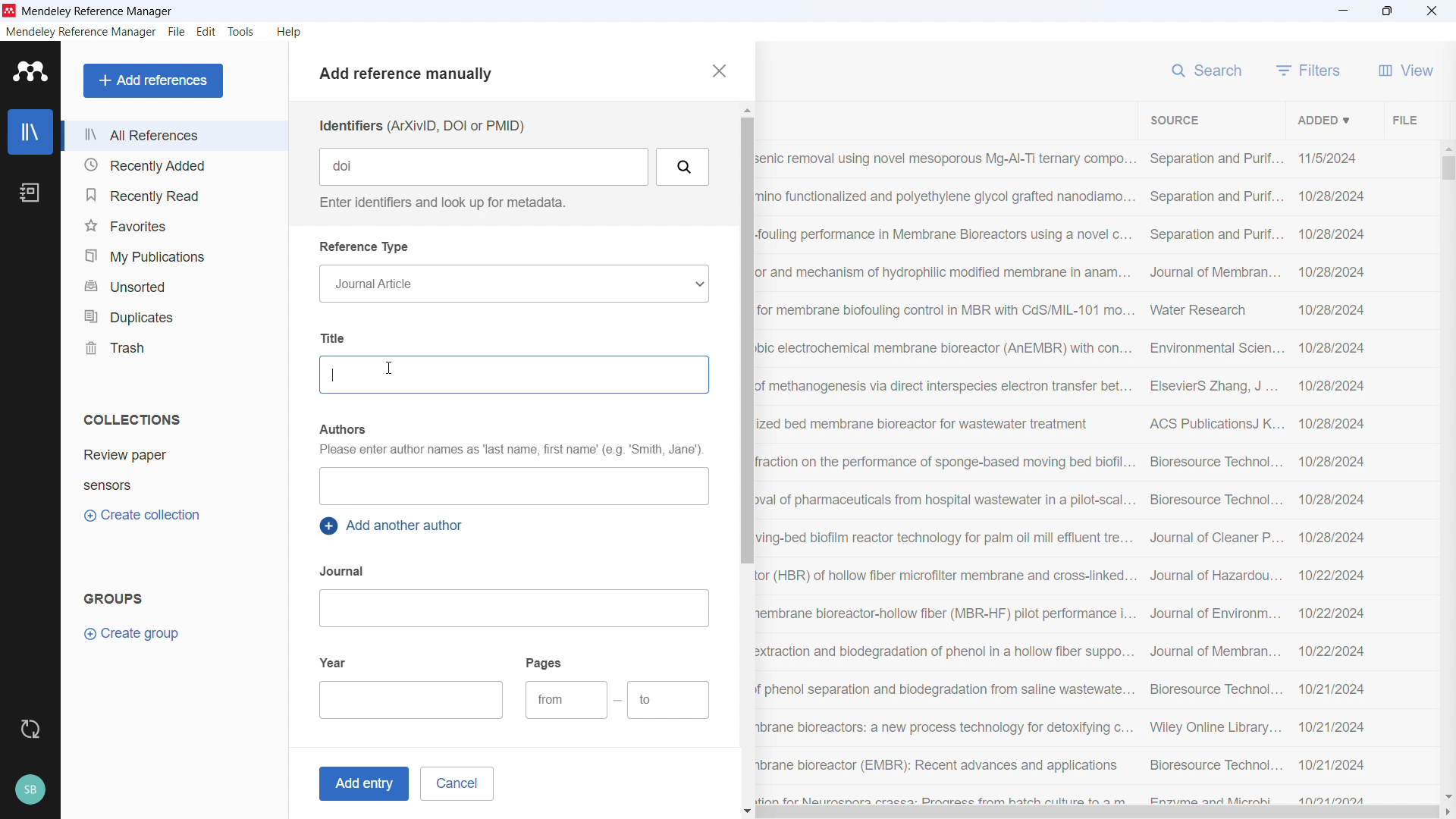 The image size is (1456, 819). I want to click on Tools , so click(241, 32).